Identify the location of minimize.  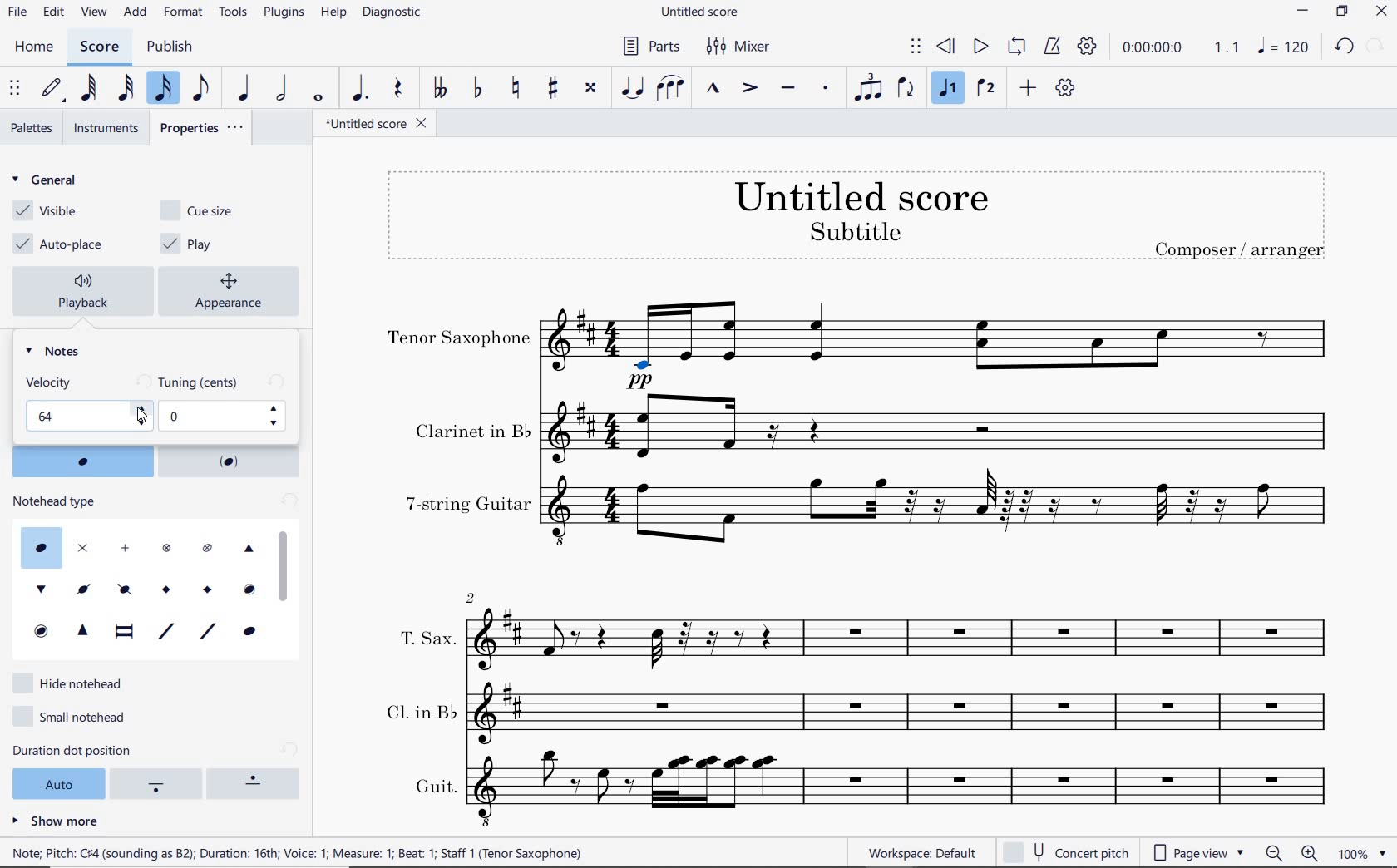
(1302, 11).